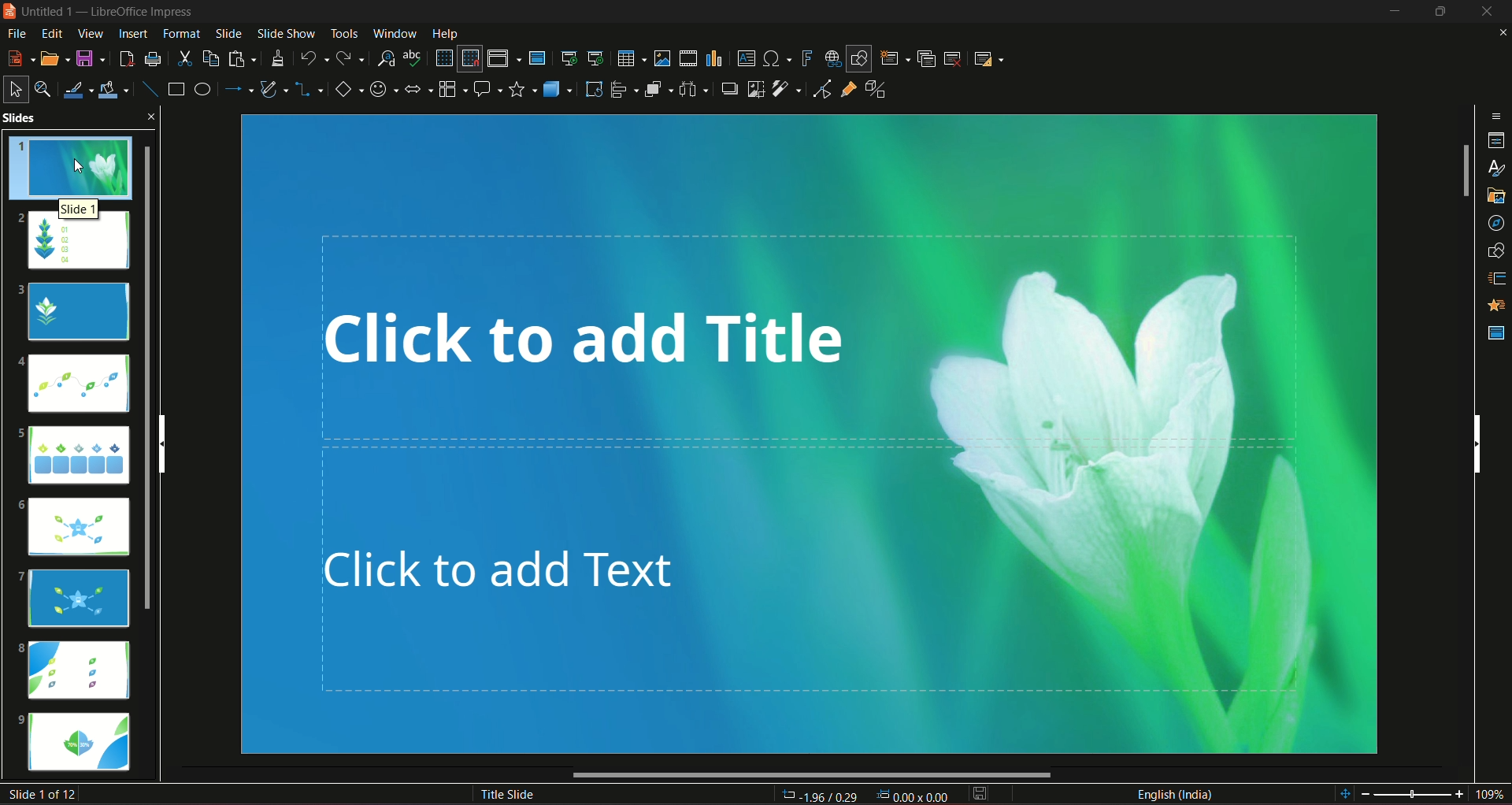 The image size is (1512, 805). What do you see at coordinates (807, 58) in the screenshot?
I see `insert fontwork` at bounding box center [807, 58].